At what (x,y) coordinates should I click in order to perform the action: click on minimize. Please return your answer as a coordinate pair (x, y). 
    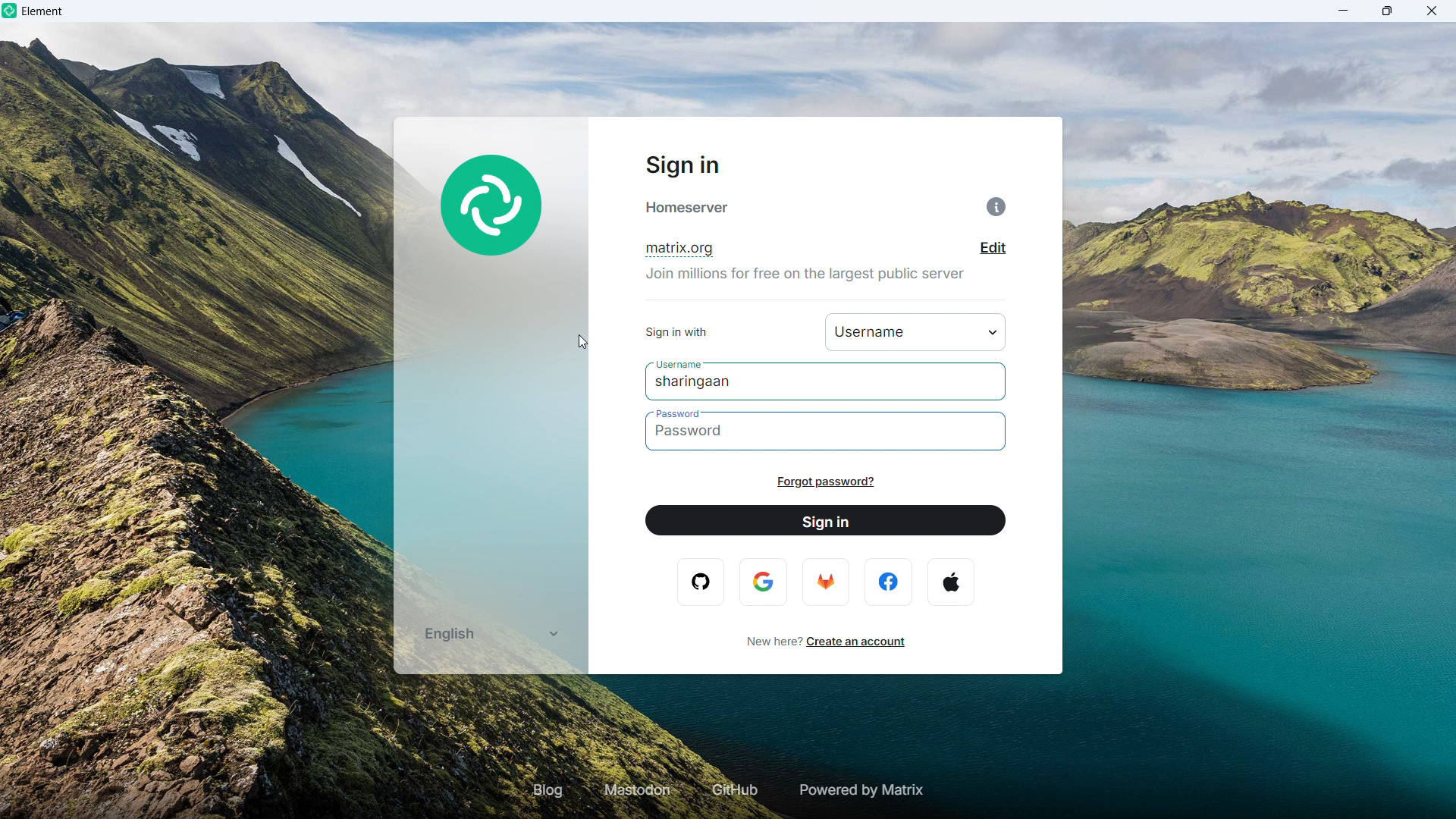
    Looking at the image, I should click on (1344, 11).